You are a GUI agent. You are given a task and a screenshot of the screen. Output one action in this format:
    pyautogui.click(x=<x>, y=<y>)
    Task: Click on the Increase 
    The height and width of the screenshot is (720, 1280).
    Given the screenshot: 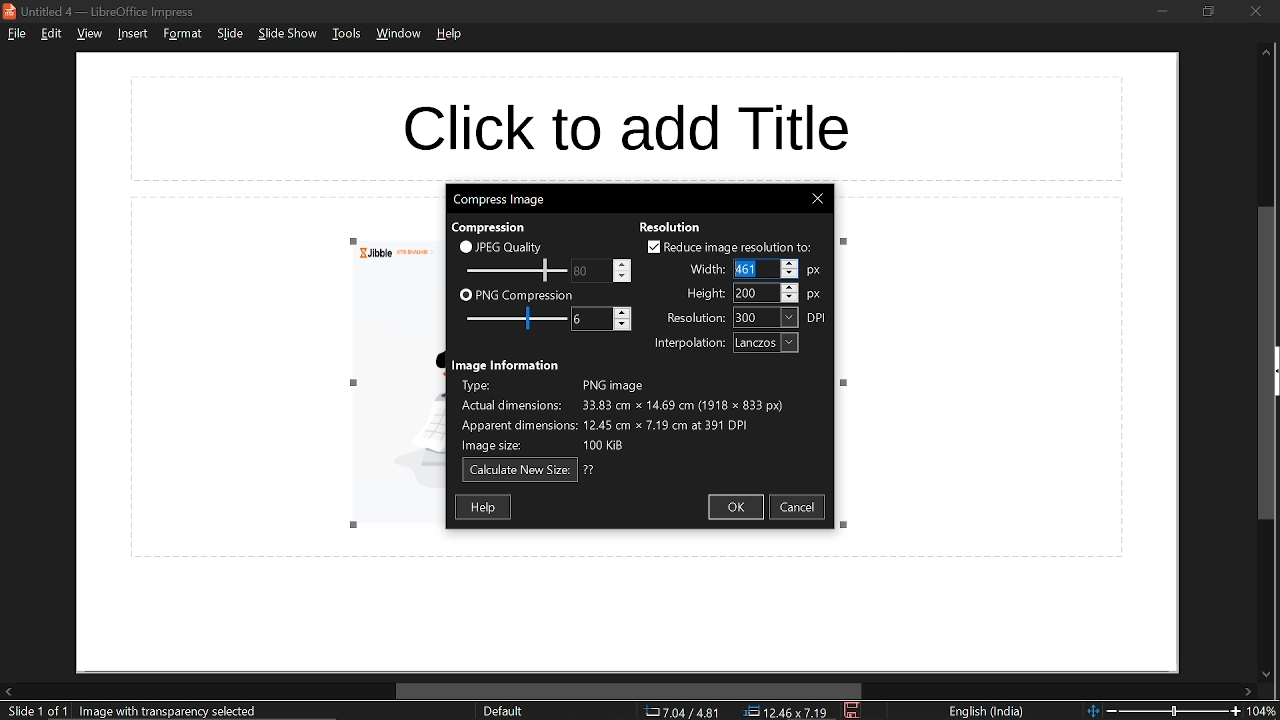 What is the action you would take?
    pyautogui.click(x=623, y=262)
    